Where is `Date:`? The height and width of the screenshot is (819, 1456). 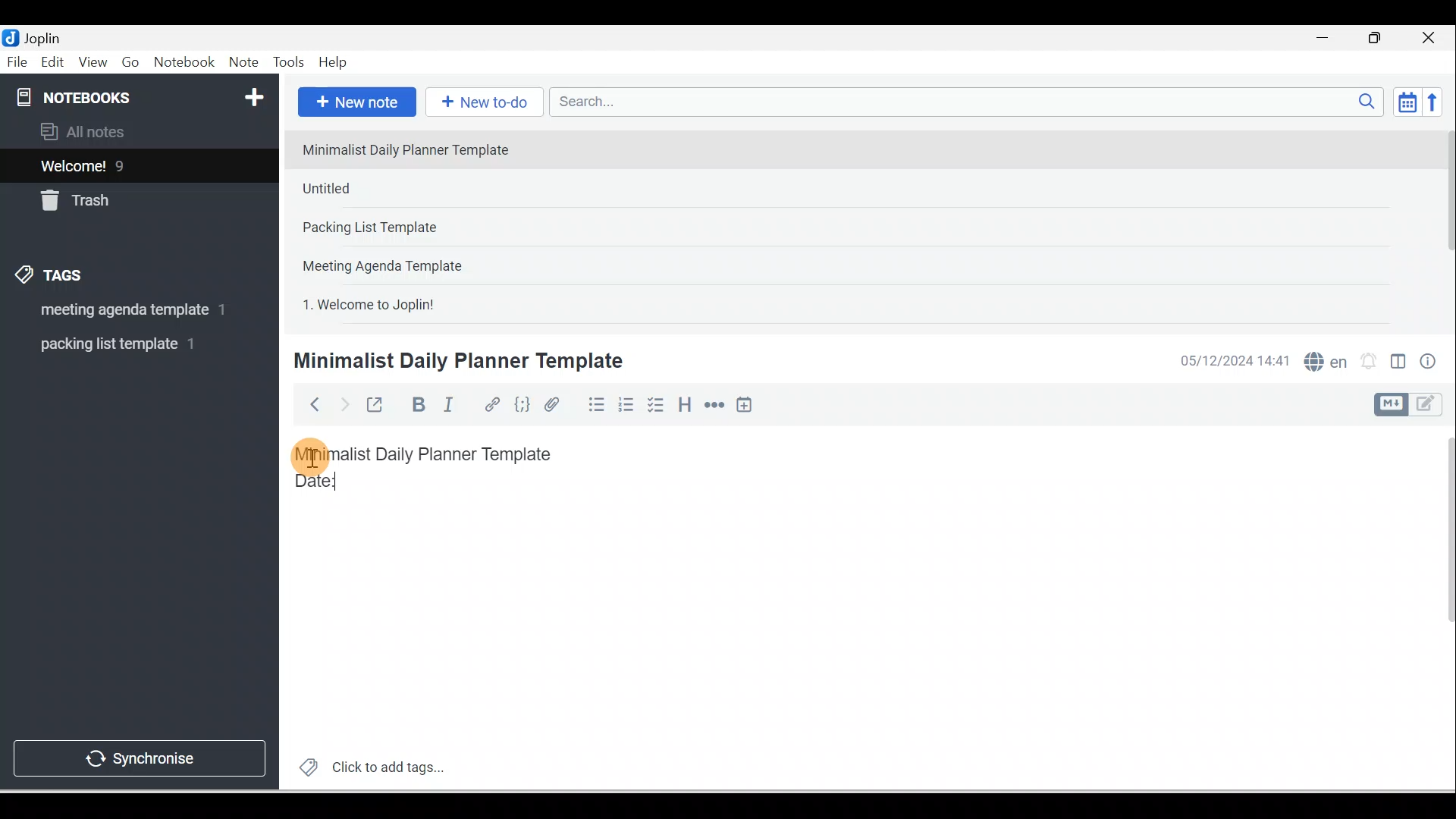
Date: is located at coordinates (359, 488).